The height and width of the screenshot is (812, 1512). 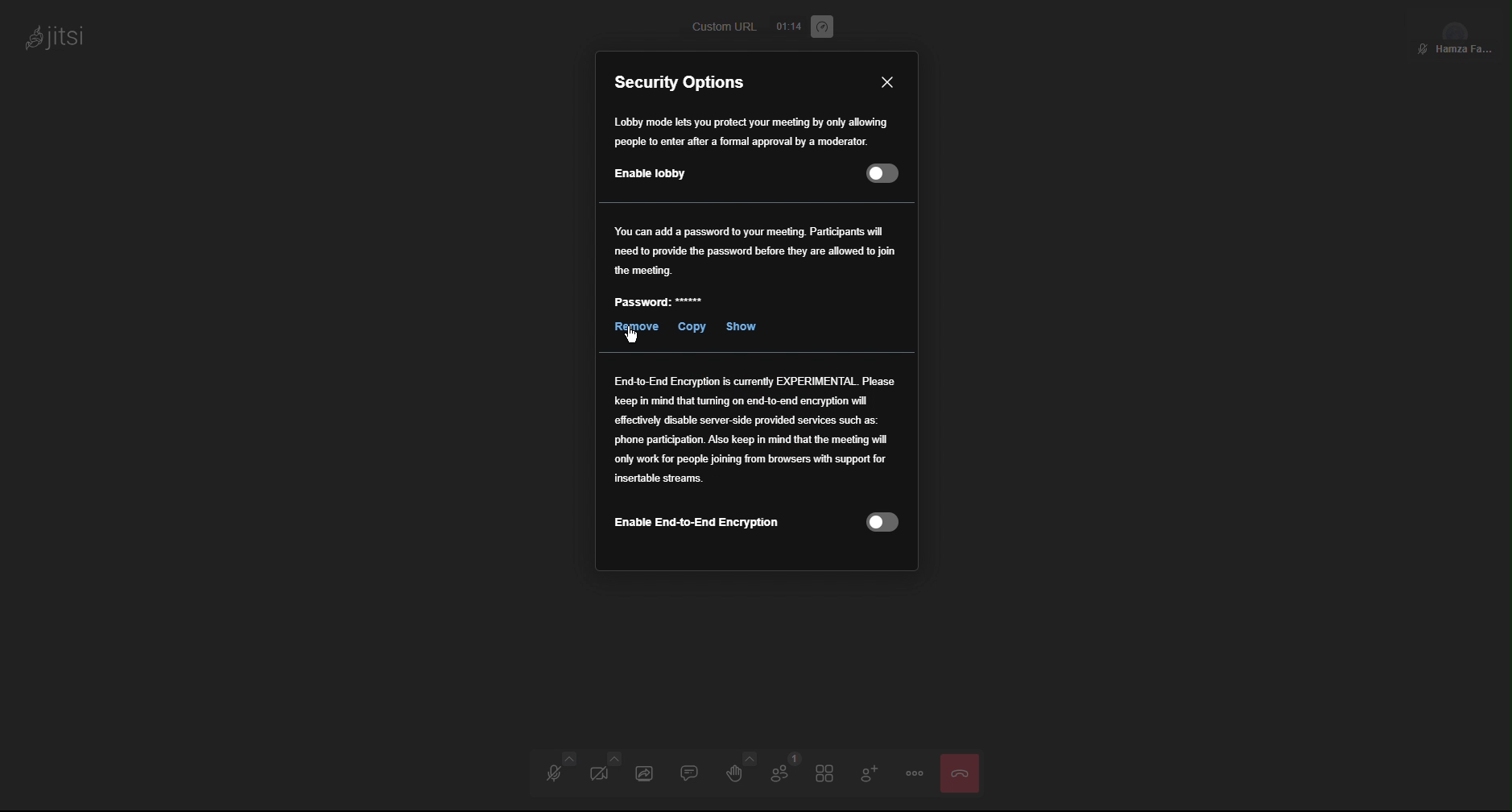 I want to click on Audio, so click(x=553, y=773).